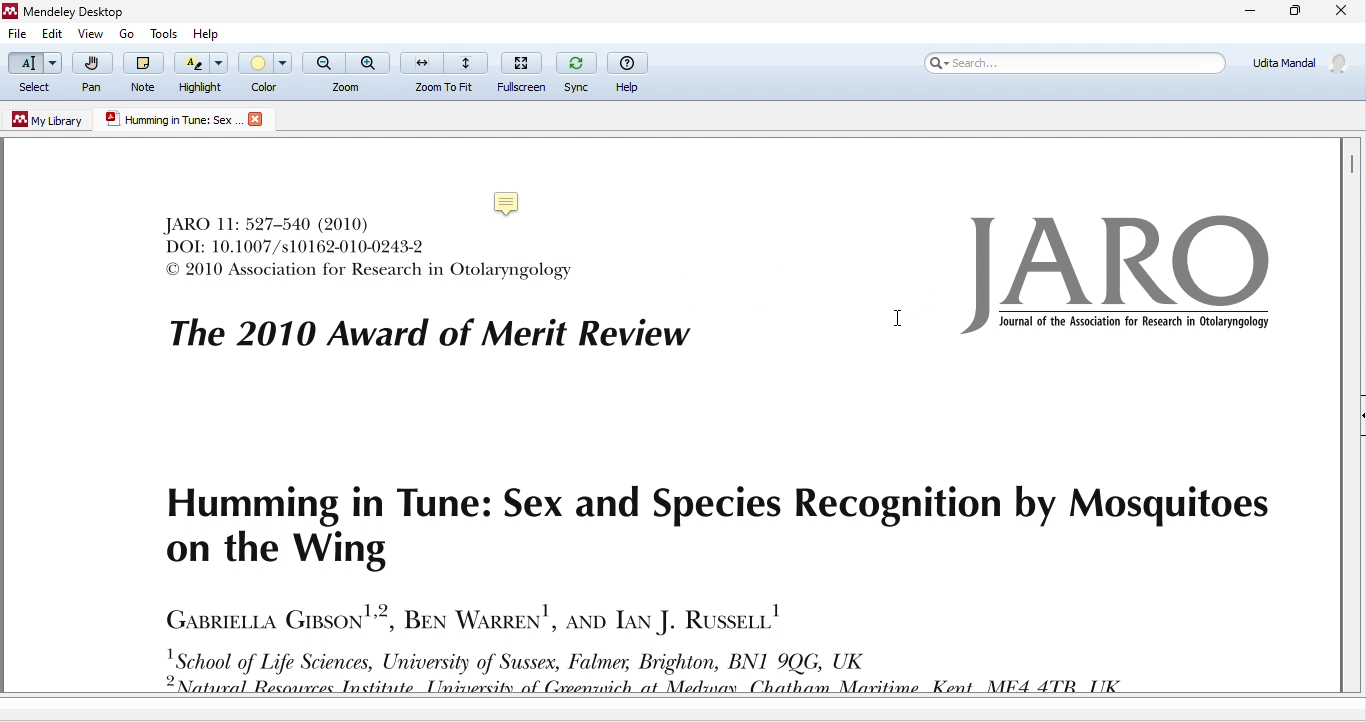  What do you see at coordinates (58, 33) in the screenshot?
I see `edit` at bounding box center [58, 33].